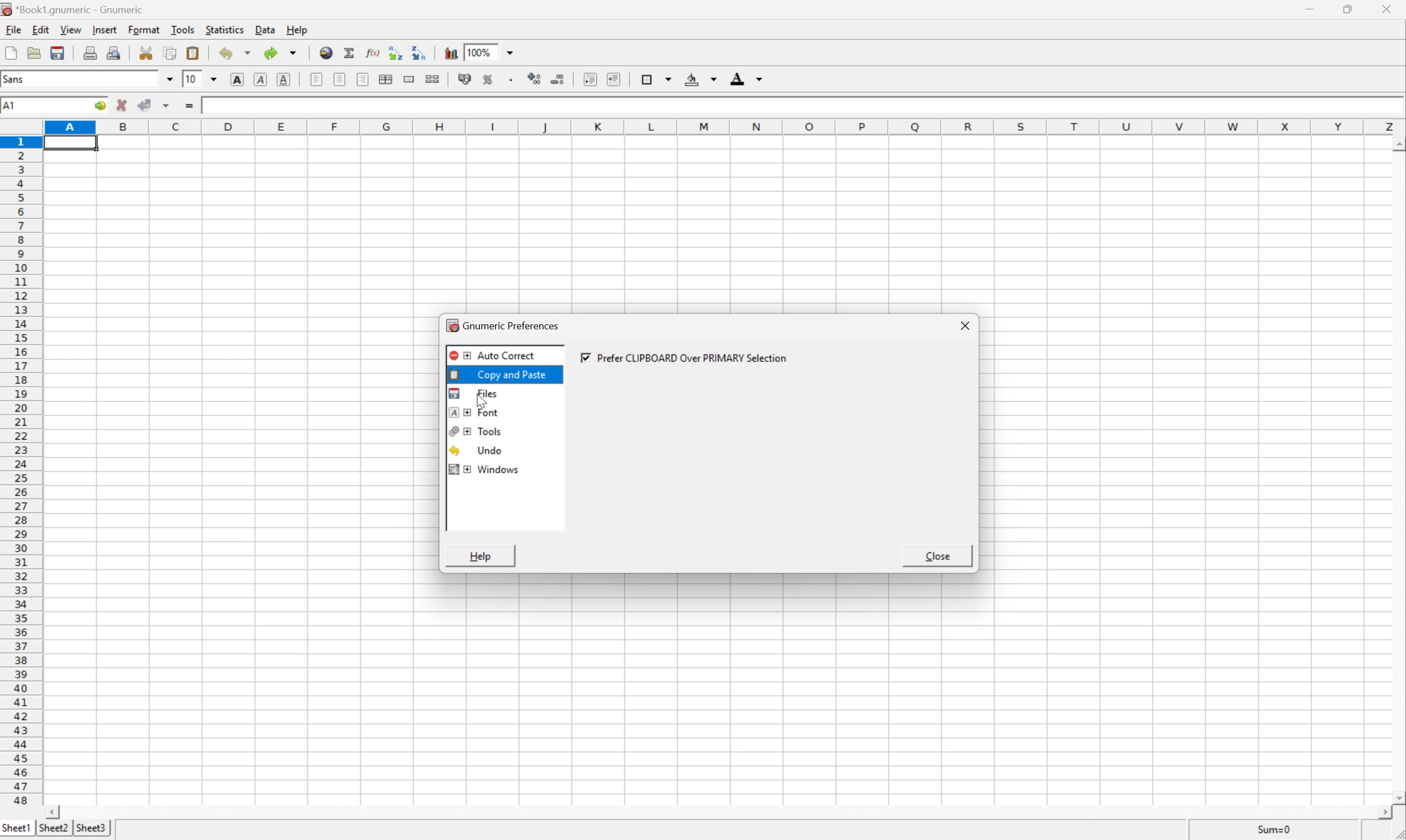 The image size is (1406, 840). I want to click on cut, so click(145, 52).